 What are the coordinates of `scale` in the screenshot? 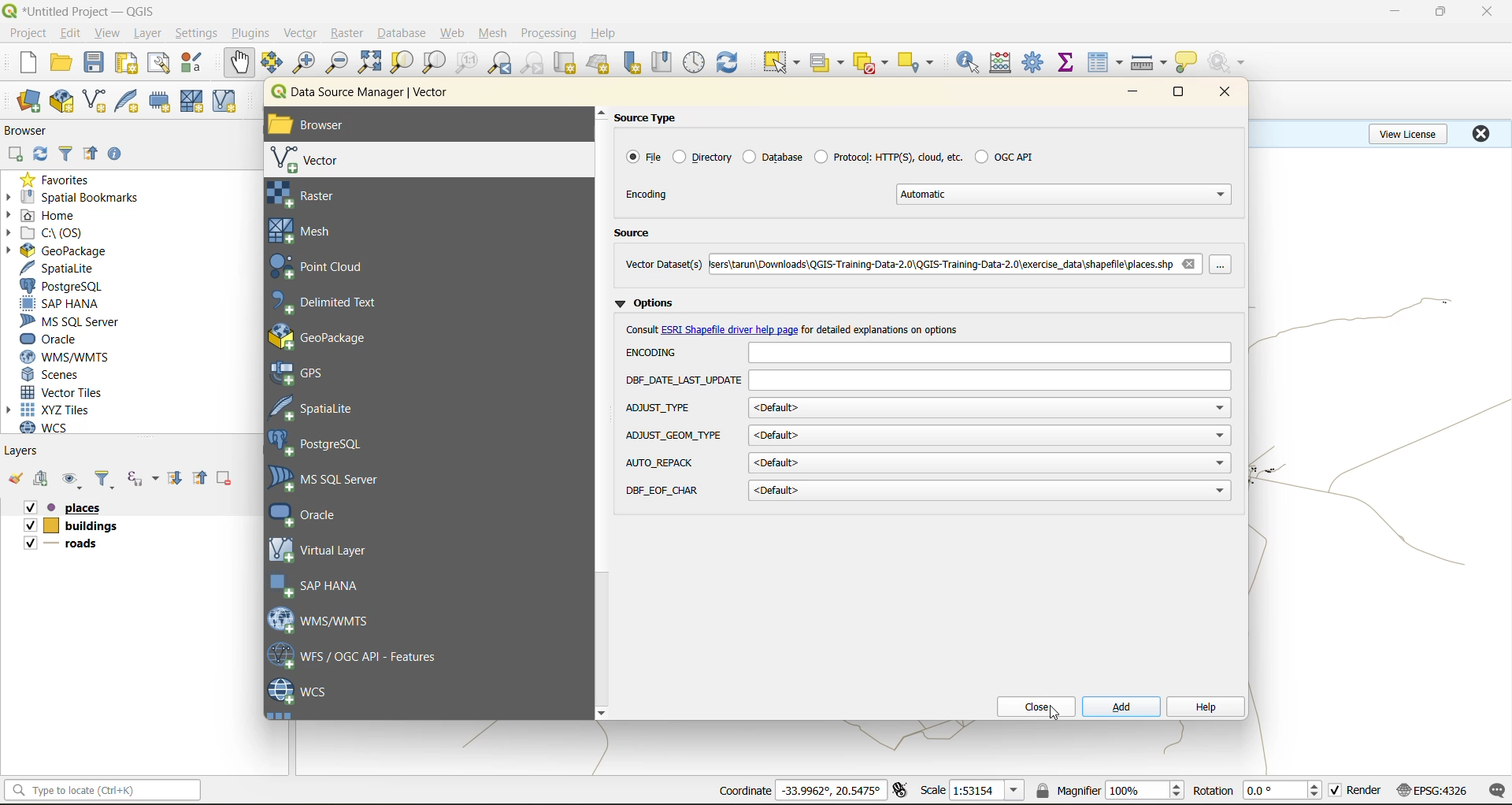 It's located at (932, 789).